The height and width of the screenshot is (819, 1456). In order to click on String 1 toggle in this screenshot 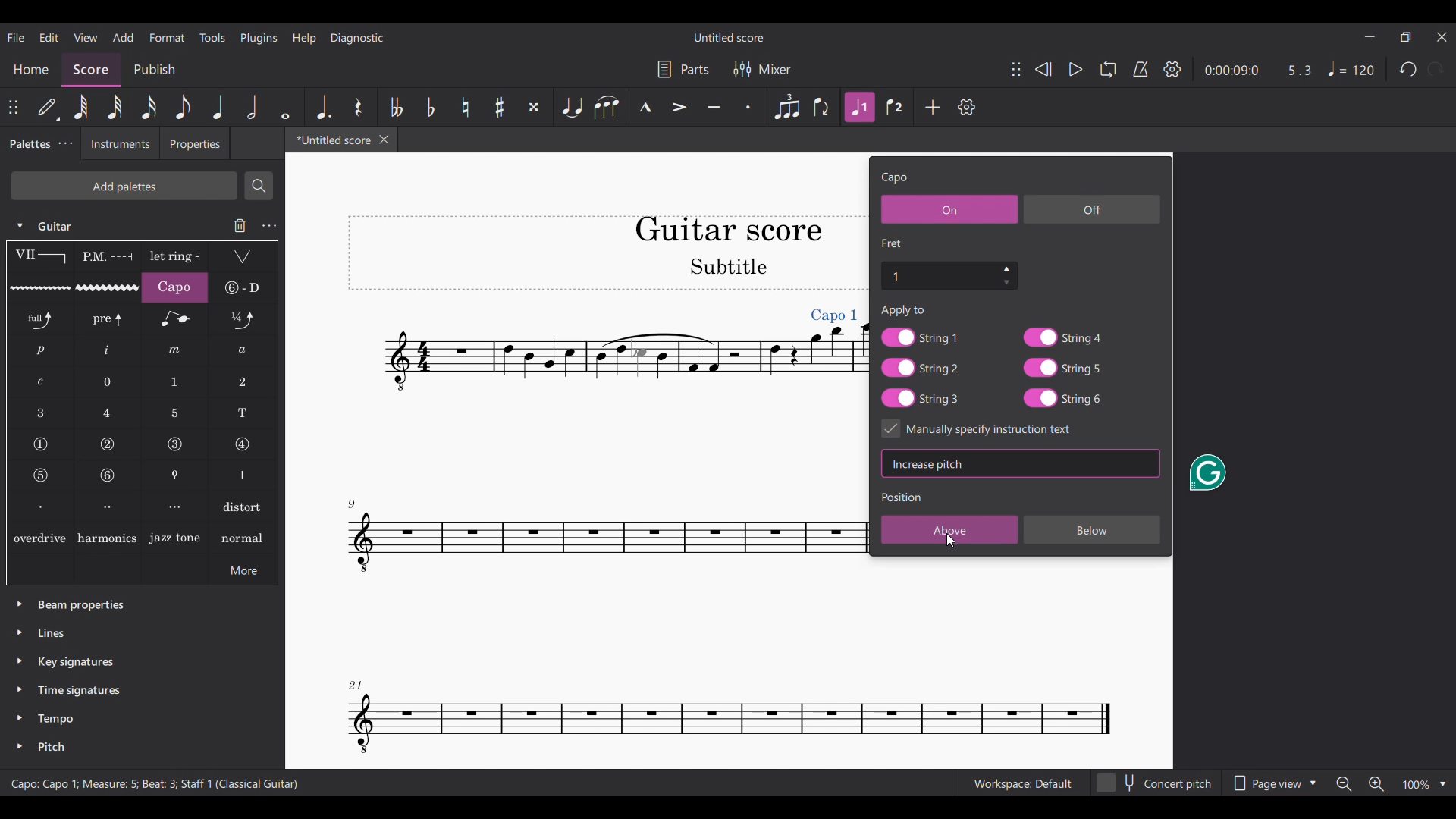, I will do `click(920, 337)`.